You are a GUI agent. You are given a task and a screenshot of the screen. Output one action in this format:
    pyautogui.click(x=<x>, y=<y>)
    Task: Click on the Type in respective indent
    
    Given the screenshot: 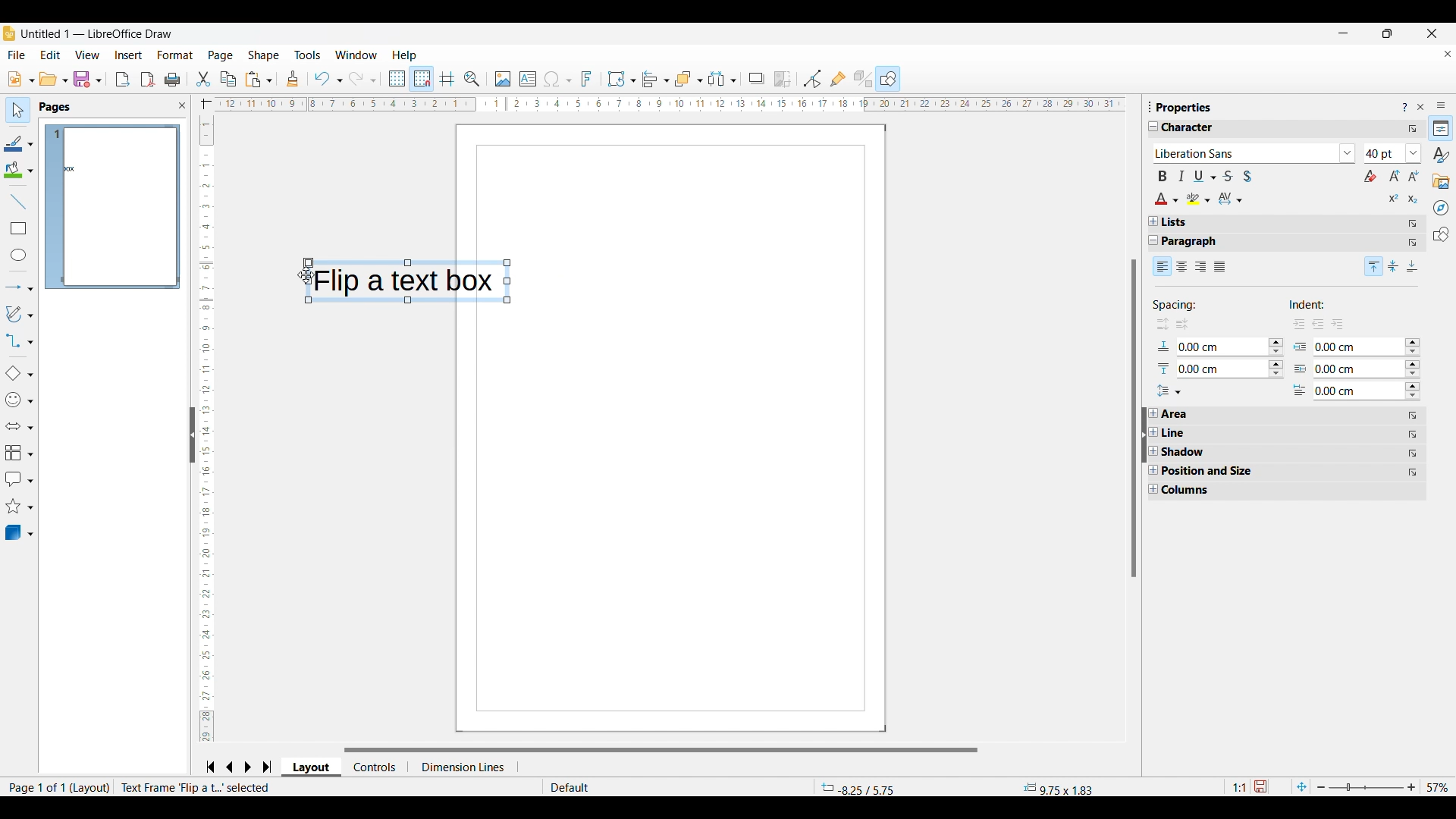 What is the action you would take?
    pyautogui.click(x=1344, y=369)
    